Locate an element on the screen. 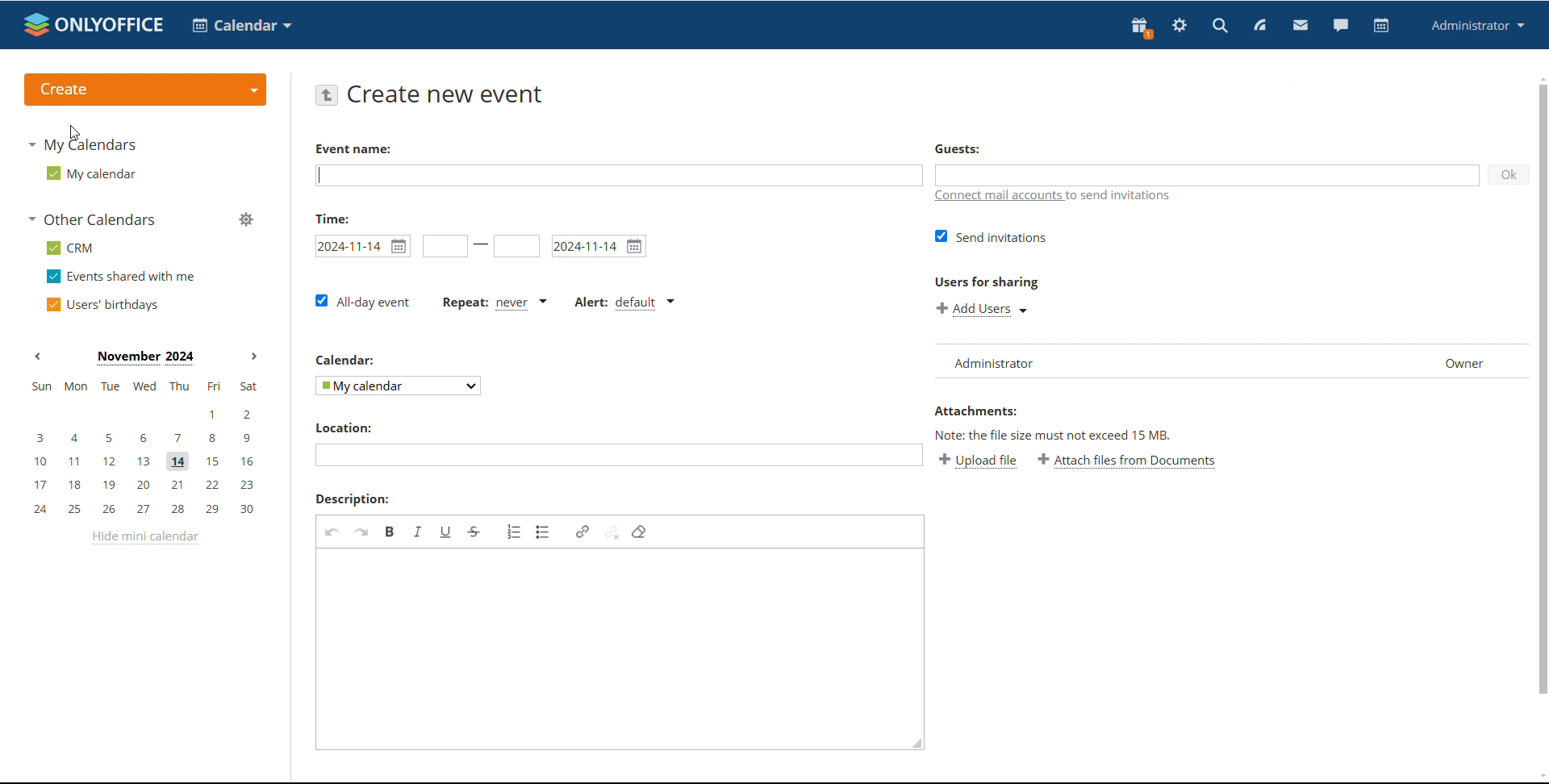 The width and height of the screenshot is (1549, 784). link is located at coordinates (582, 532).